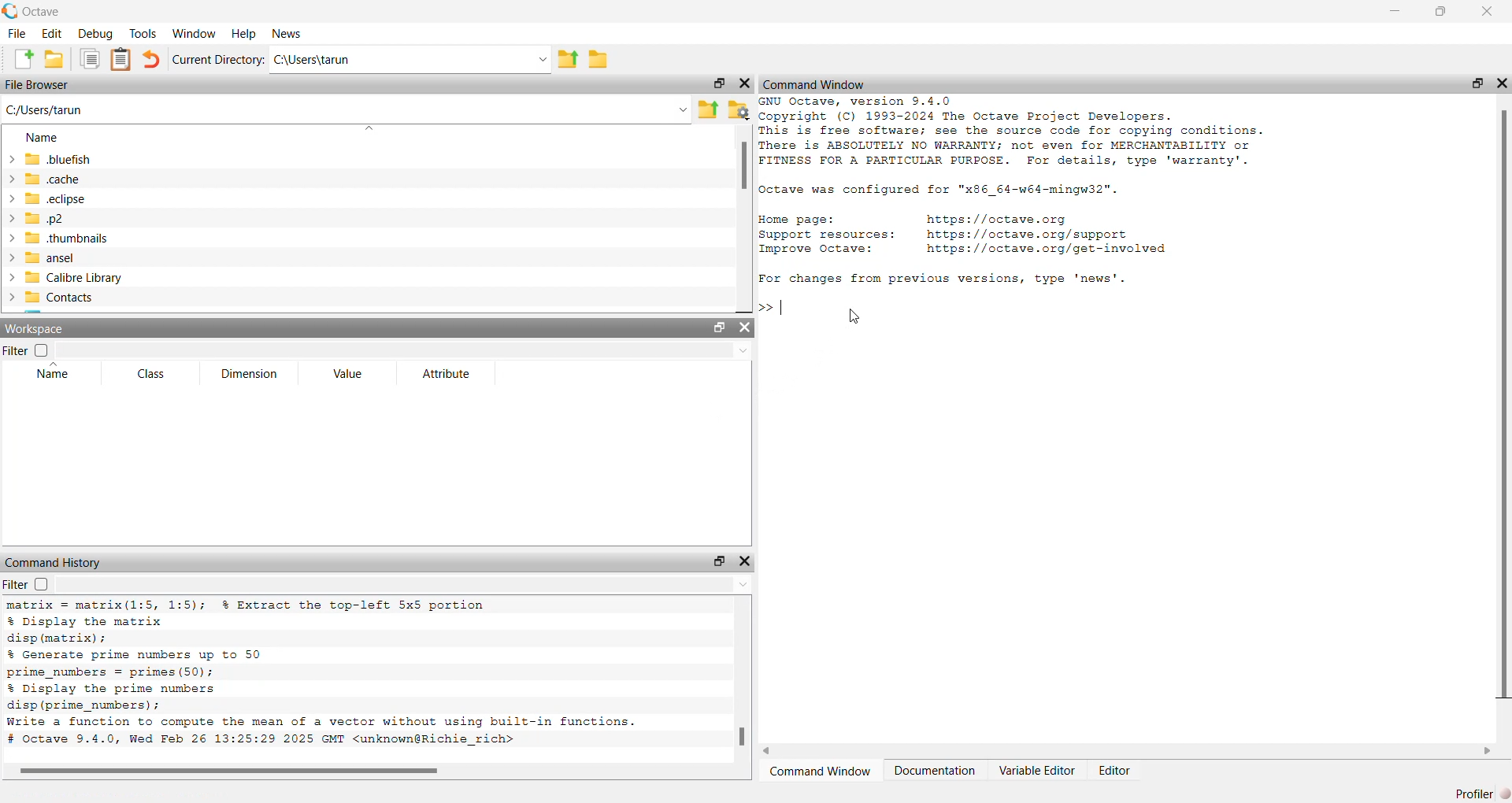  Describe the element at coordinates (745, 561) in the screenshot. I see `close` at that location.